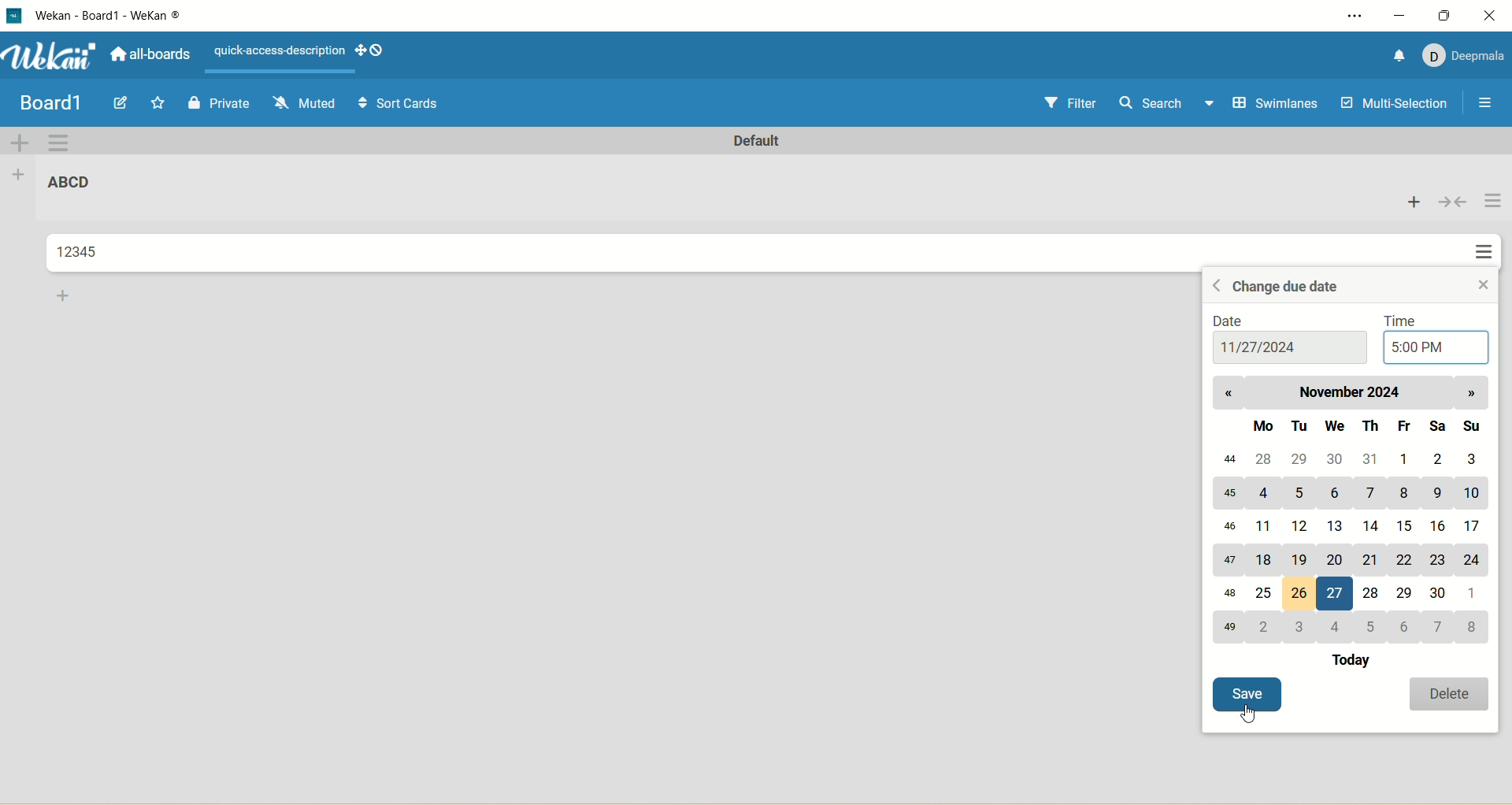  I want to click on title, so click(110, 20).